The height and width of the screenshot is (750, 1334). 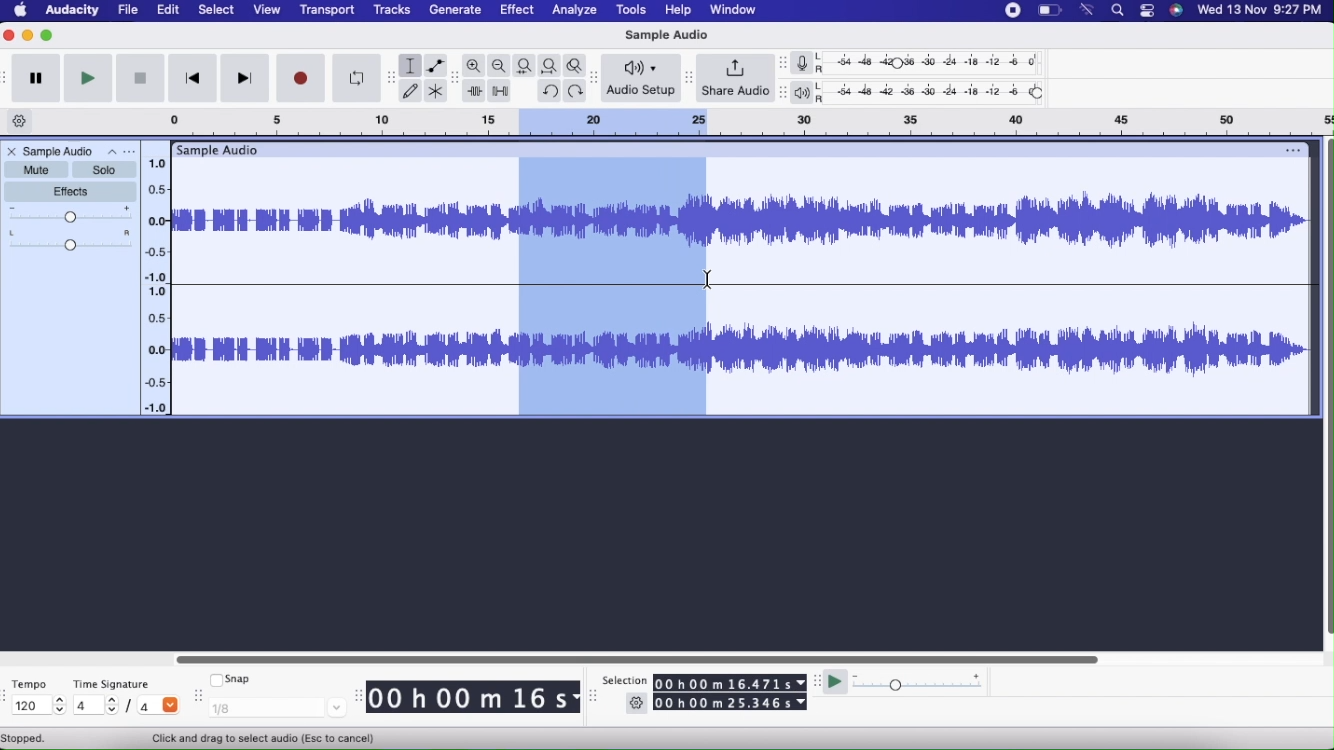 I want to click on Zoom Toggle, so click(x=578, y=64).